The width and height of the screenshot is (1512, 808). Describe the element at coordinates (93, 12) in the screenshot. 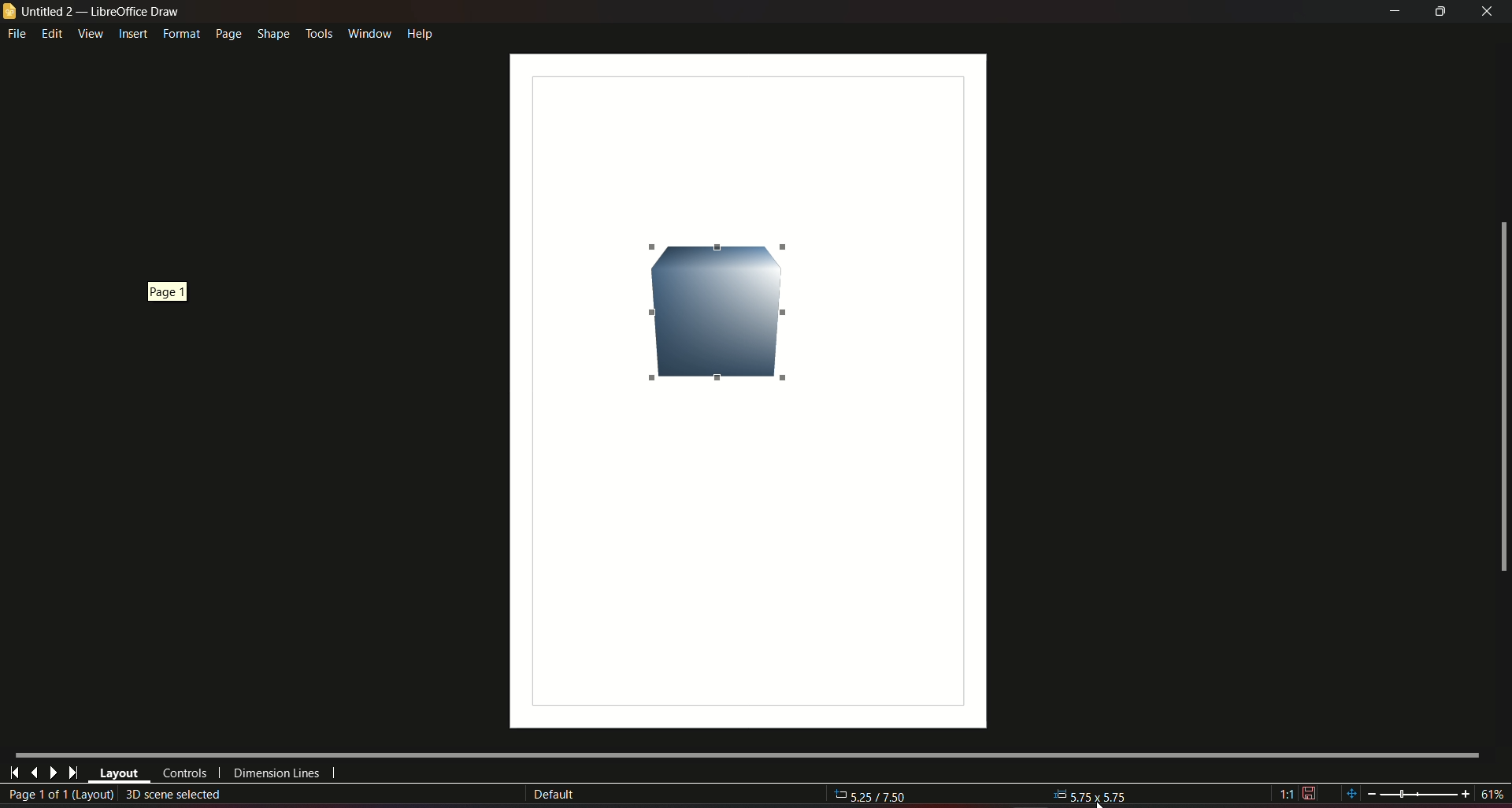

I see `untitled 2 - libreoffice draw` at that location.